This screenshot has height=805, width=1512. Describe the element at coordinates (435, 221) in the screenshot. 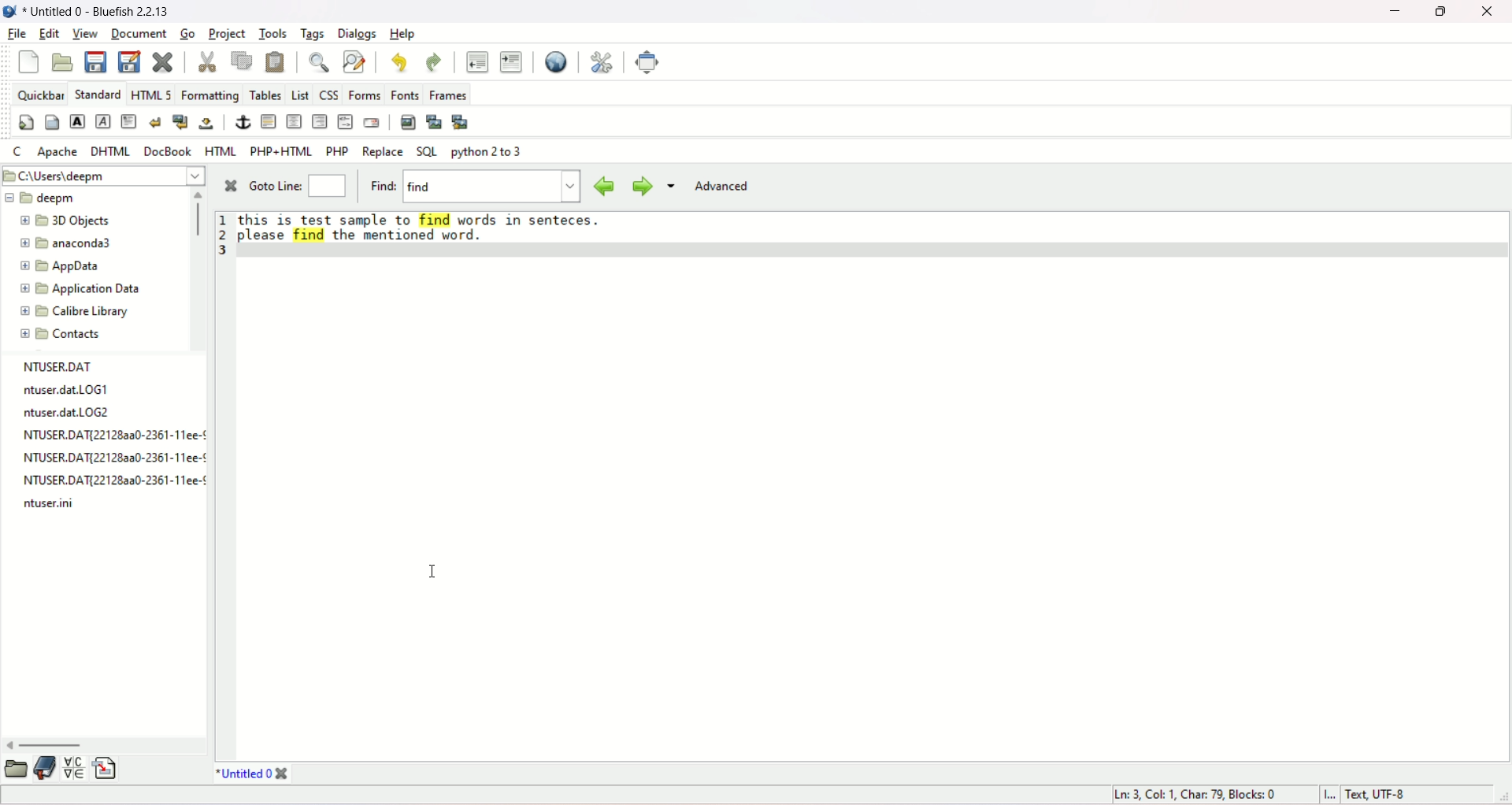

I see `highlighted word` at that location.